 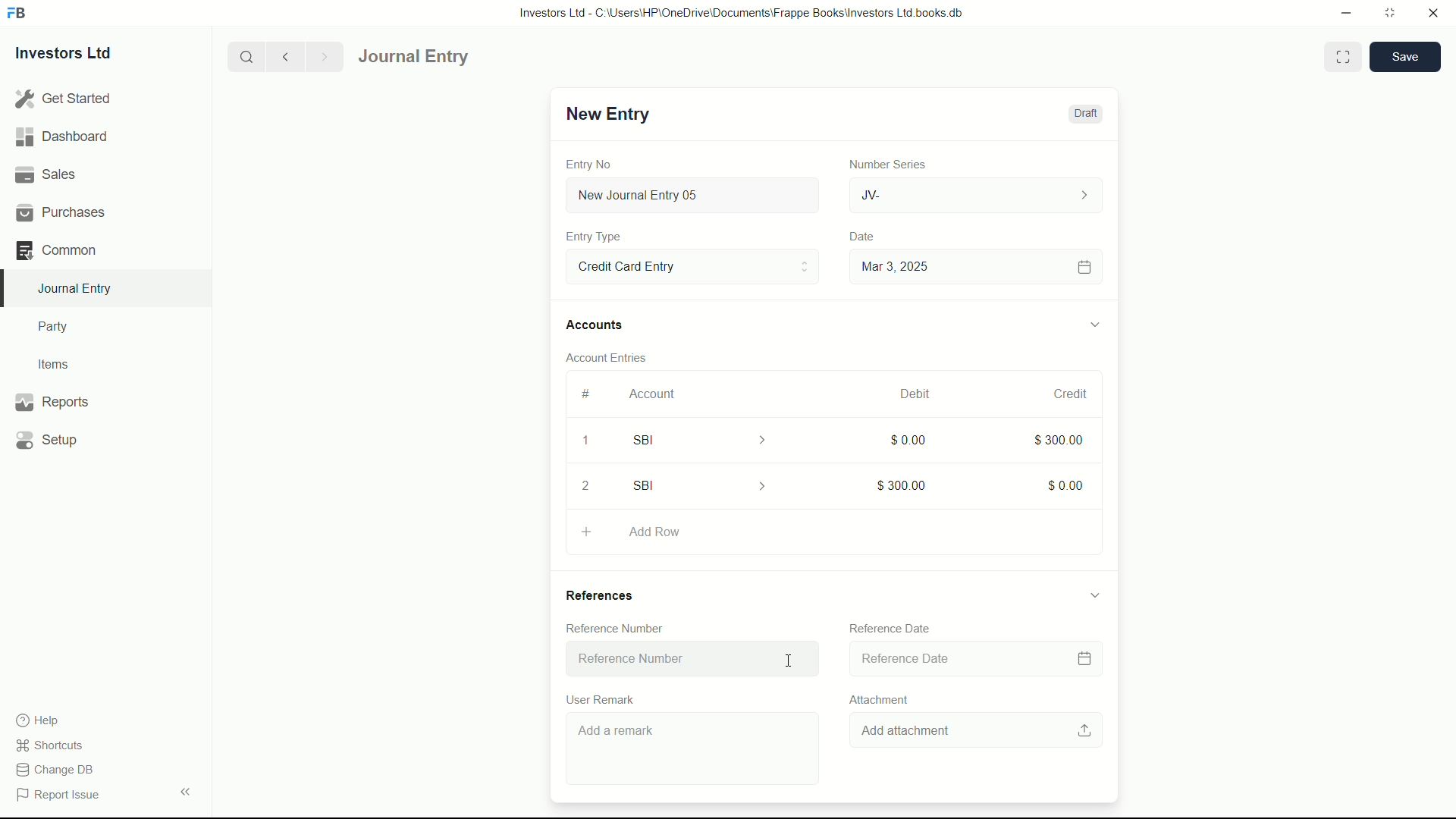 What do you see at coordinates (881, 163) in the screenshot?
I see `Number Series` at bounding box center [881, 163].